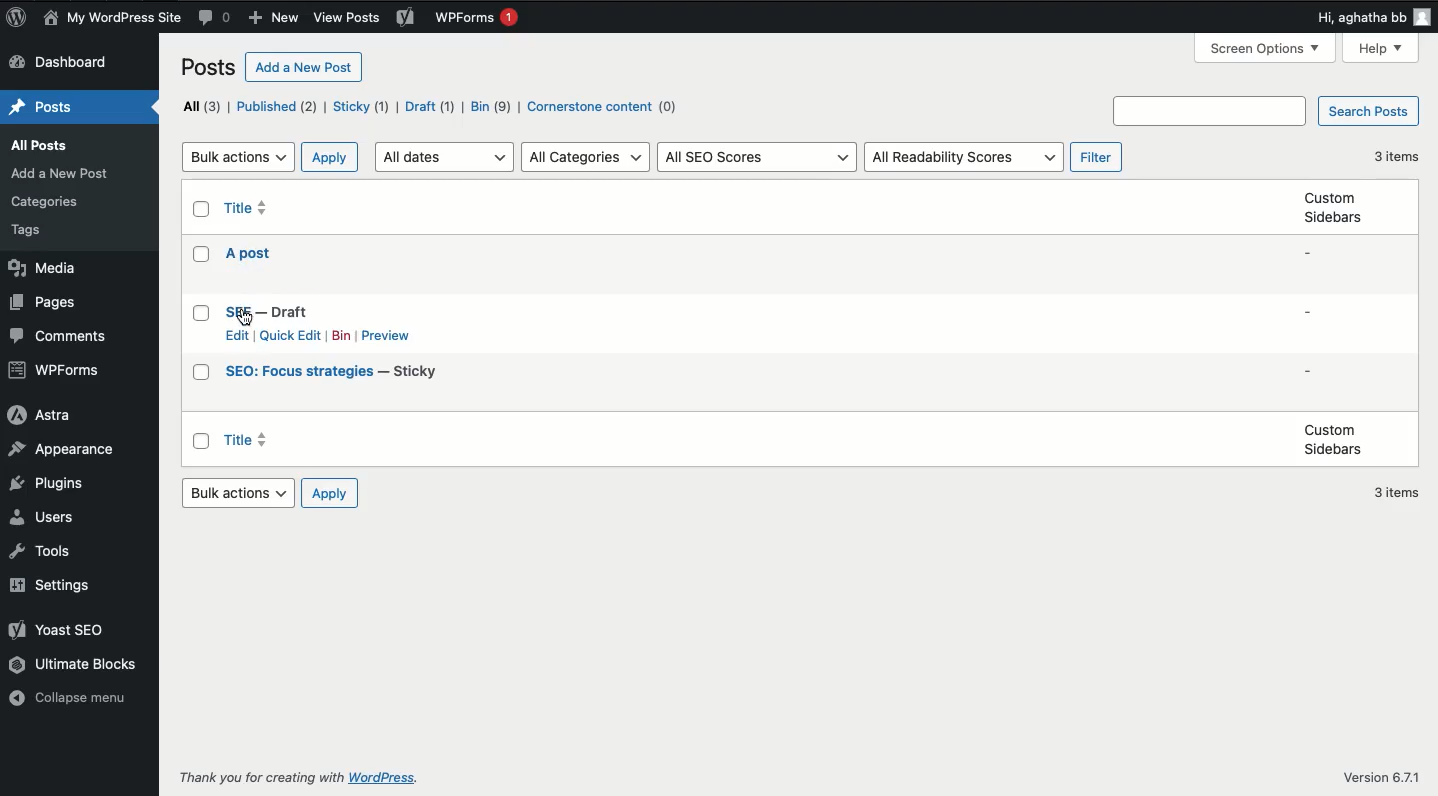  Describe the element at coordinates (1268, 48) in the screenshot. I see `Screen options` at that location.